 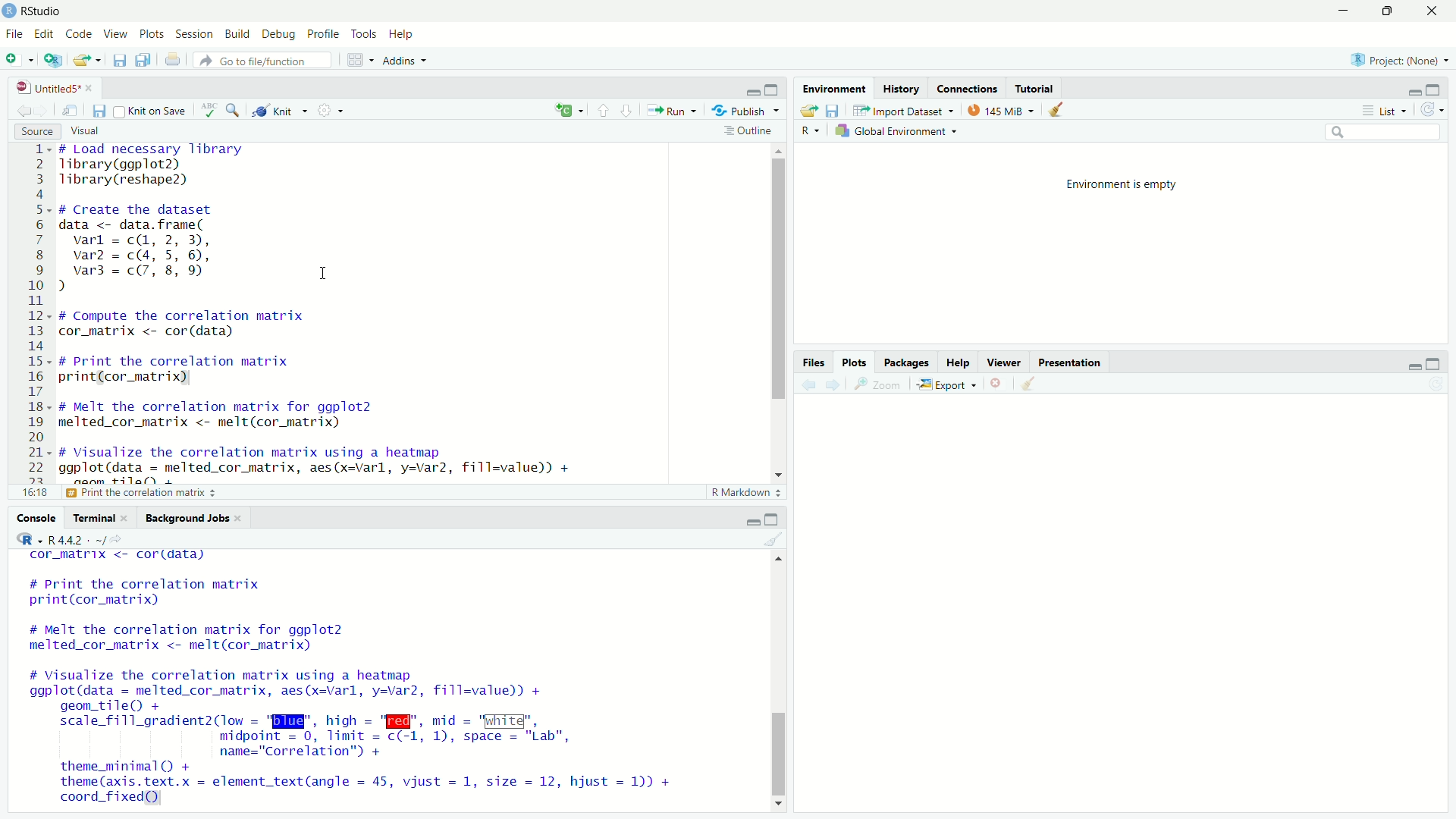 I want to click on memory usage, so click(x=999, y=110).